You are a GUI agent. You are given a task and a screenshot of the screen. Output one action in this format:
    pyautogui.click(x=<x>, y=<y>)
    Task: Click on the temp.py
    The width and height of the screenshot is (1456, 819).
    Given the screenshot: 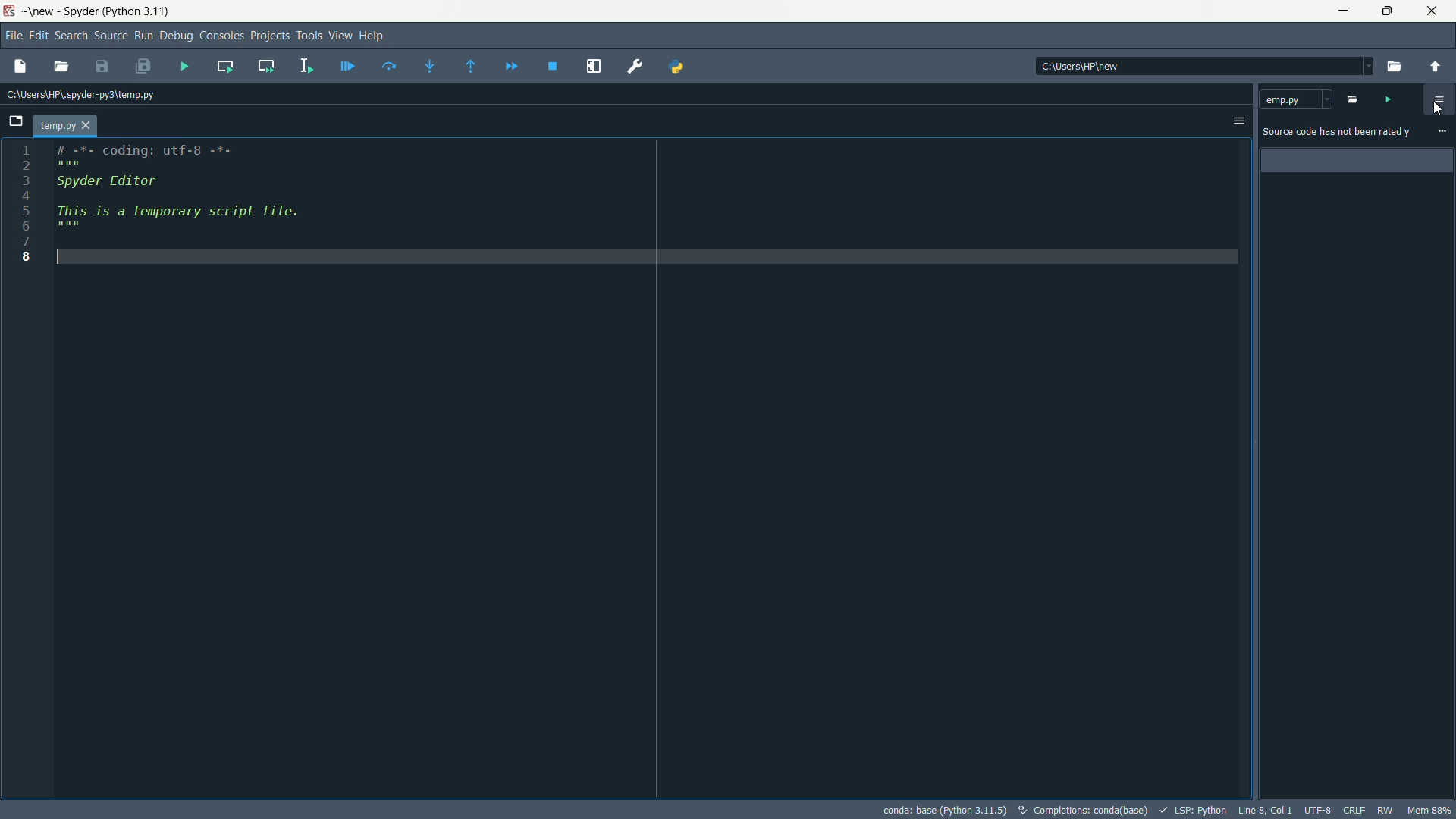 What is the action you would take?
    pyautogui.click(x=67, y=125)
    